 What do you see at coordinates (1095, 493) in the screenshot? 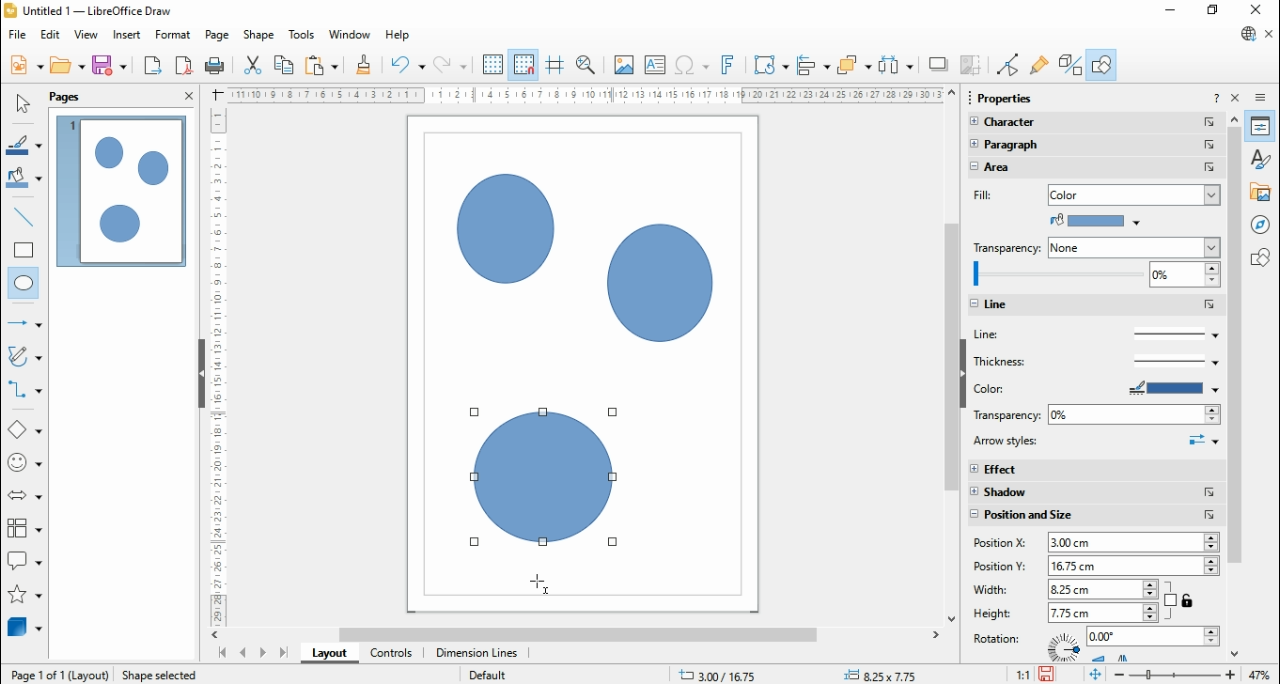
I see `shadow` at bounding box center [1095, 493].